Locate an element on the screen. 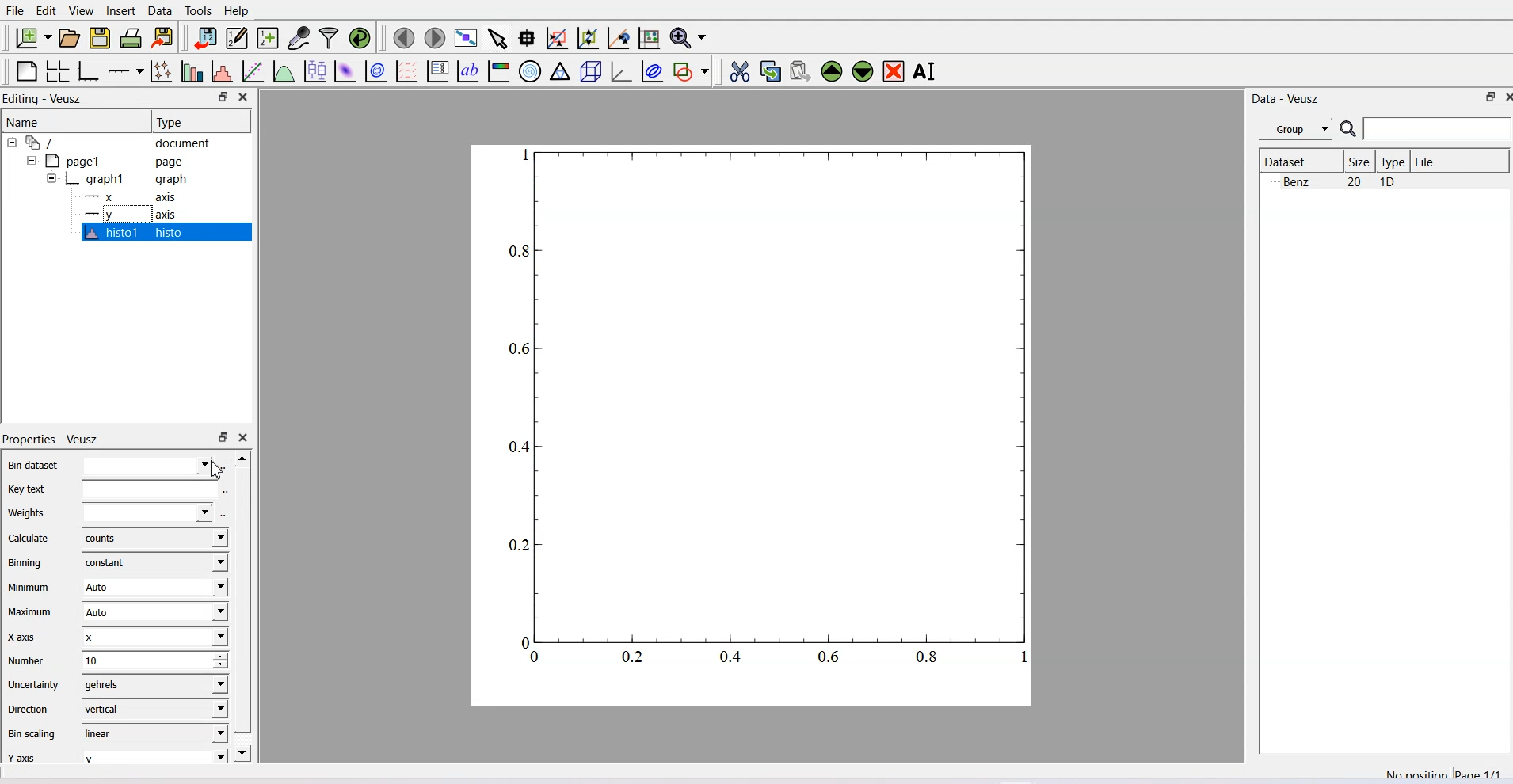  Zoom Function Menu is located at coordinates (690, 37).